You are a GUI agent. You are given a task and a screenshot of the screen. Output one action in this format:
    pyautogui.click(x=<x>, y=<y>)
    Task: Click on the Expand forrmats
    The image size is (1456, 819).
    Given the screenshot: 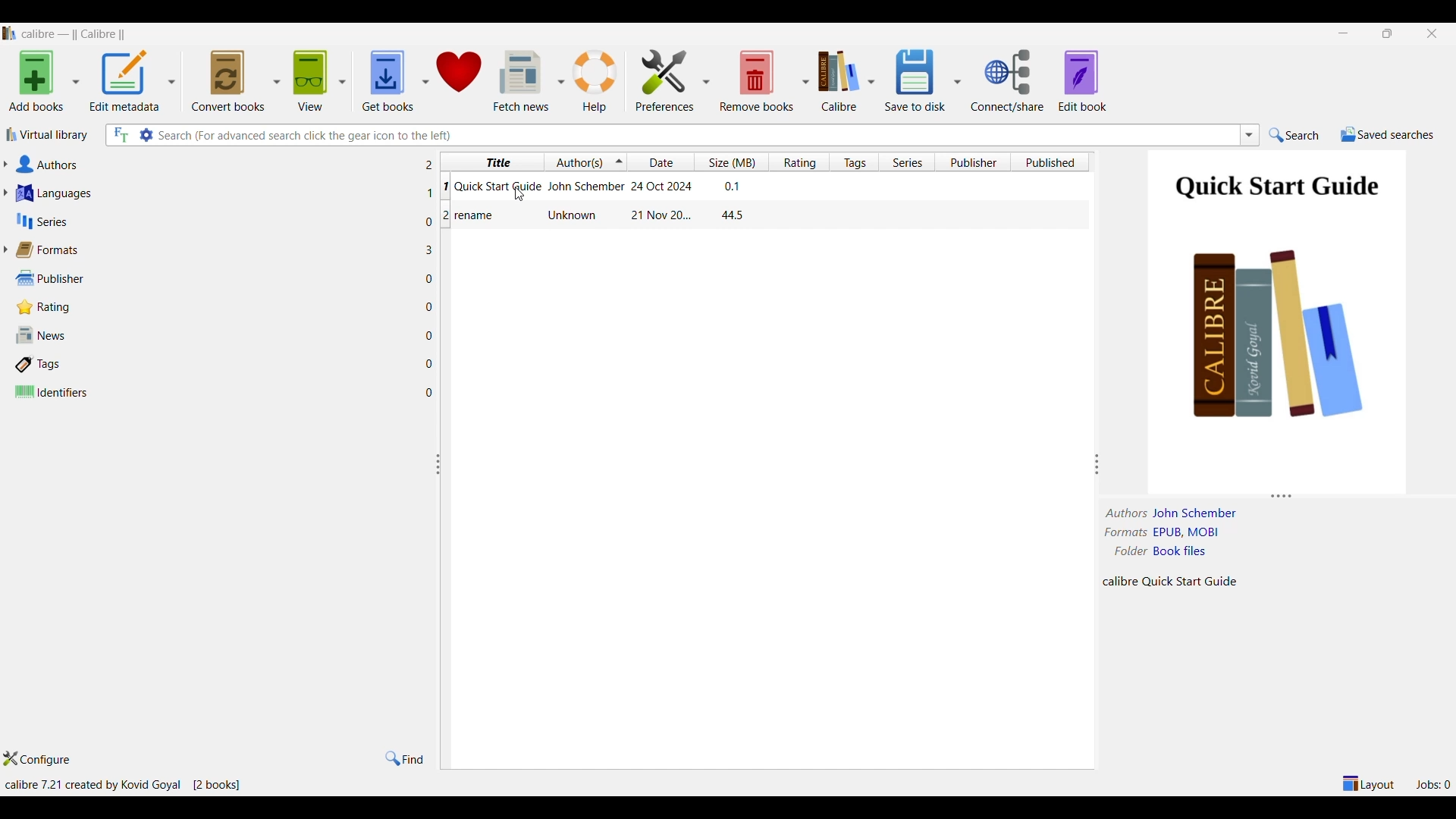 What is the action you would take?
    pyautogui.click(x=5, y=249)
    